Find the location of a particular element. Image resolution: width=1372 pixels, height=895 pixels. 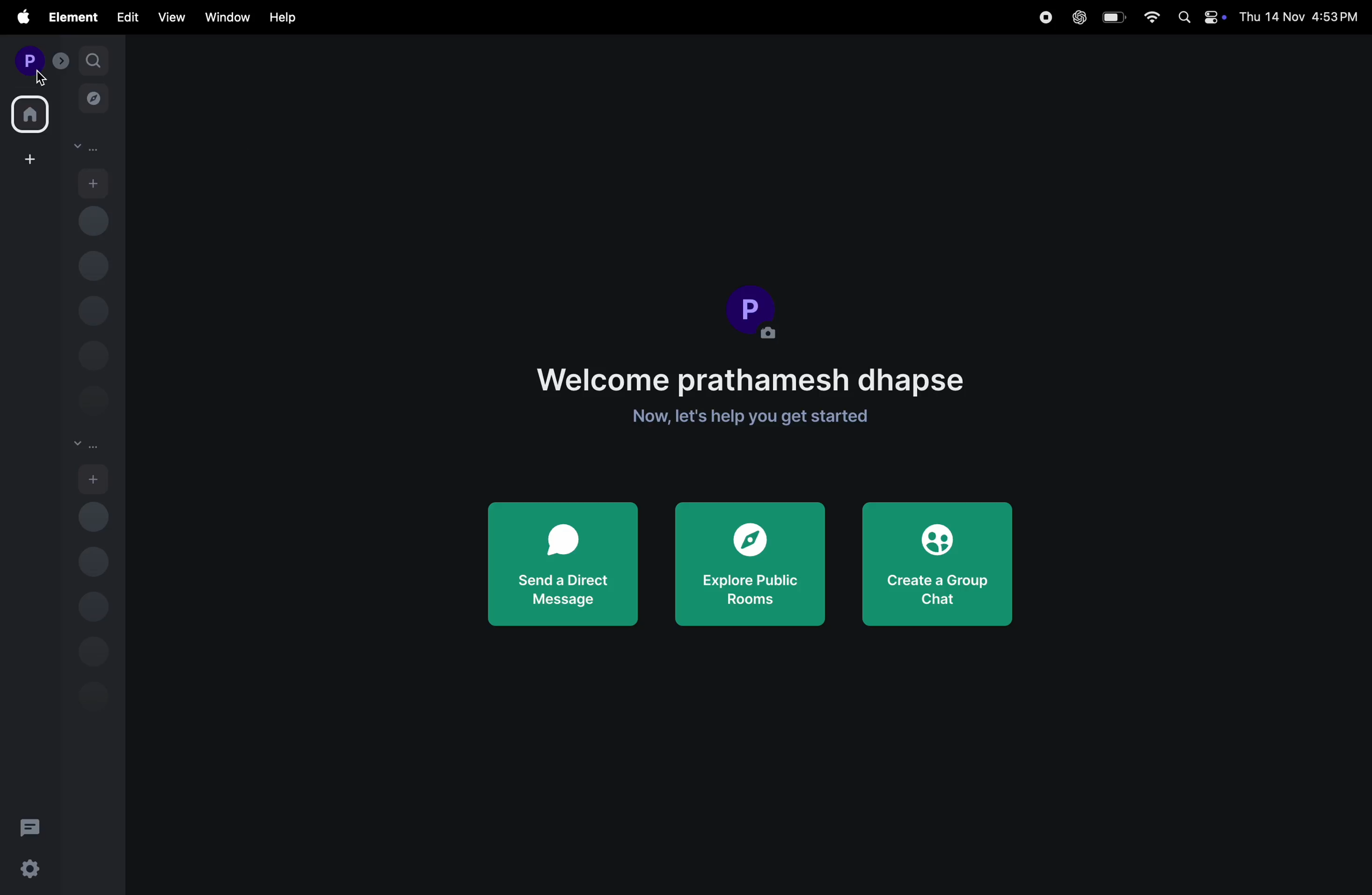

create a group chat is located at coordinates (935, 562).